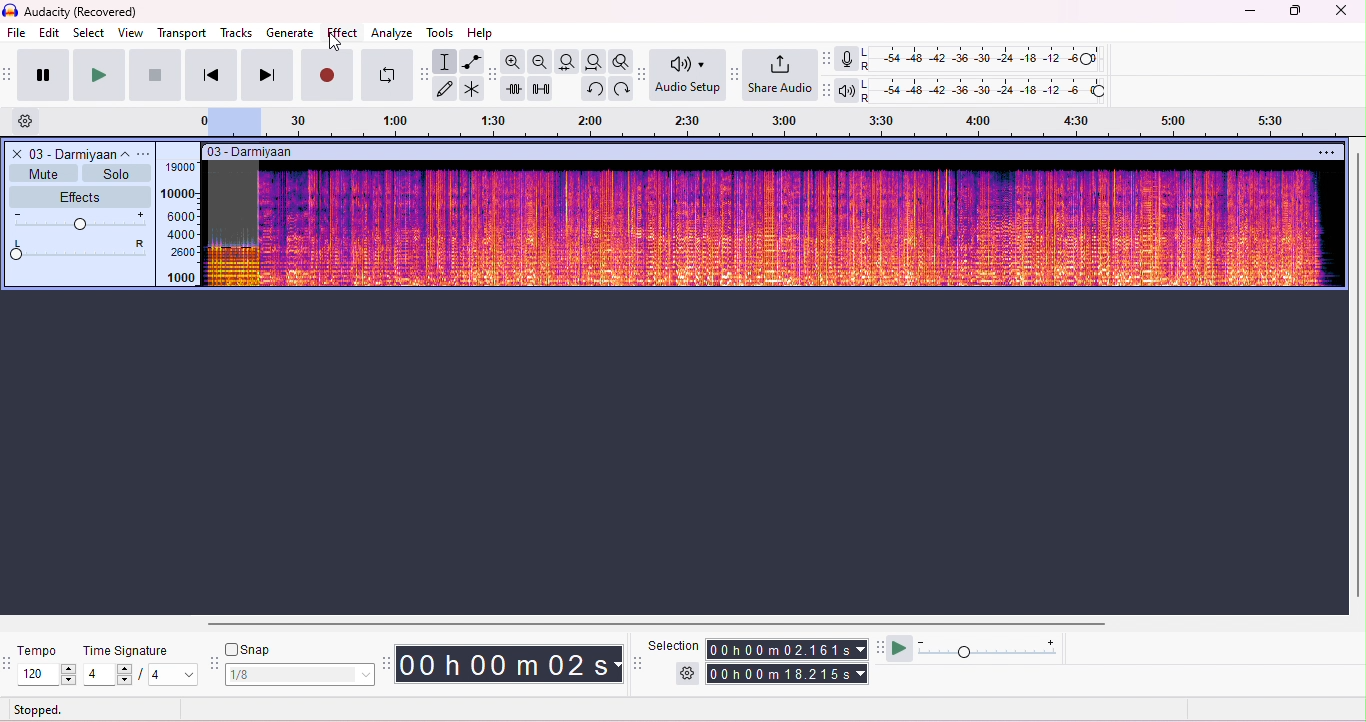  What do you see at coordinates (736, 74) in the screenshot?
I see `share audio tool bar` at bounding box center [736, 74].